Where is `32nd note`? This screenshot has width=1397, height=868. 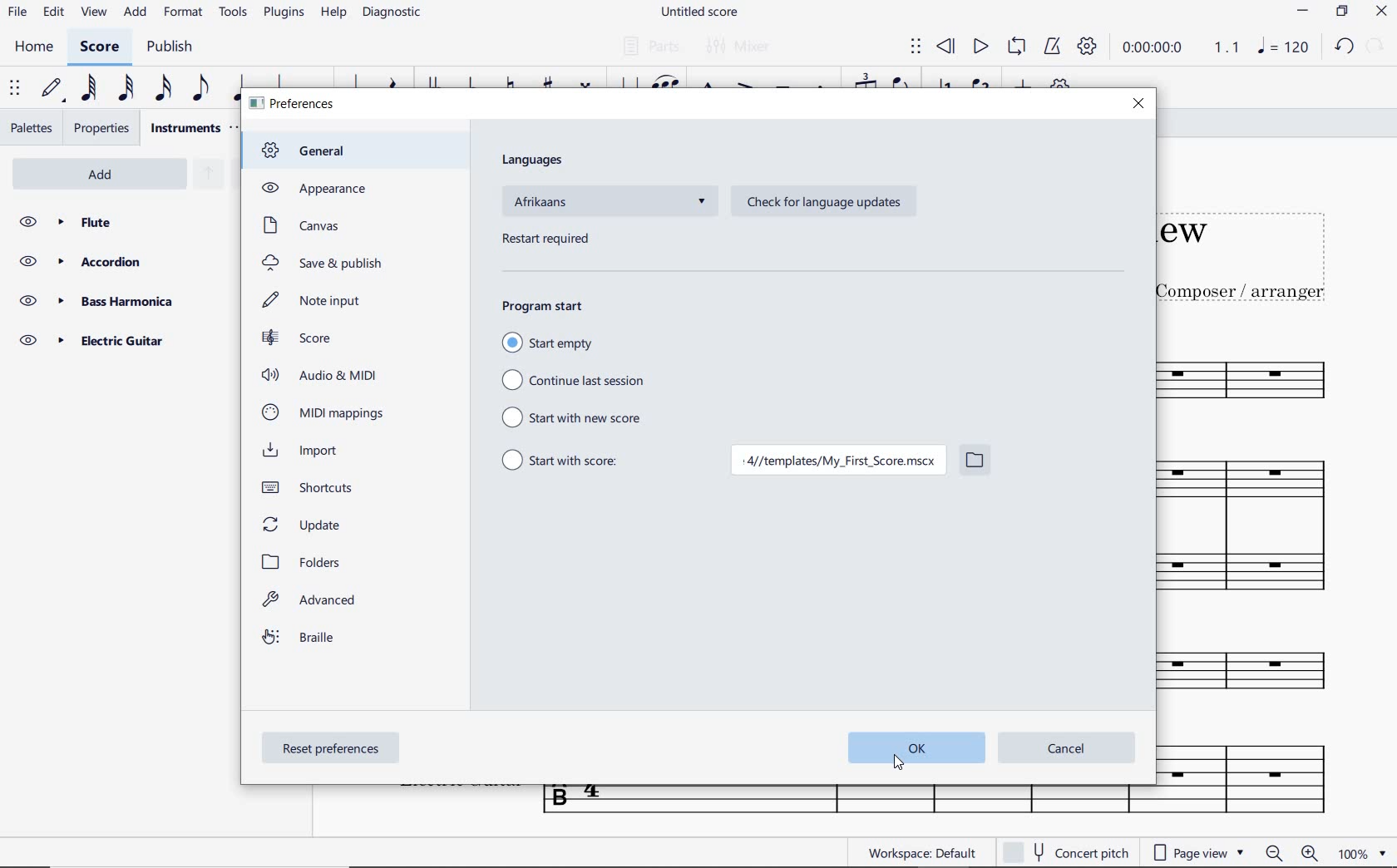 32nd note is located at coordinates (123, 89).